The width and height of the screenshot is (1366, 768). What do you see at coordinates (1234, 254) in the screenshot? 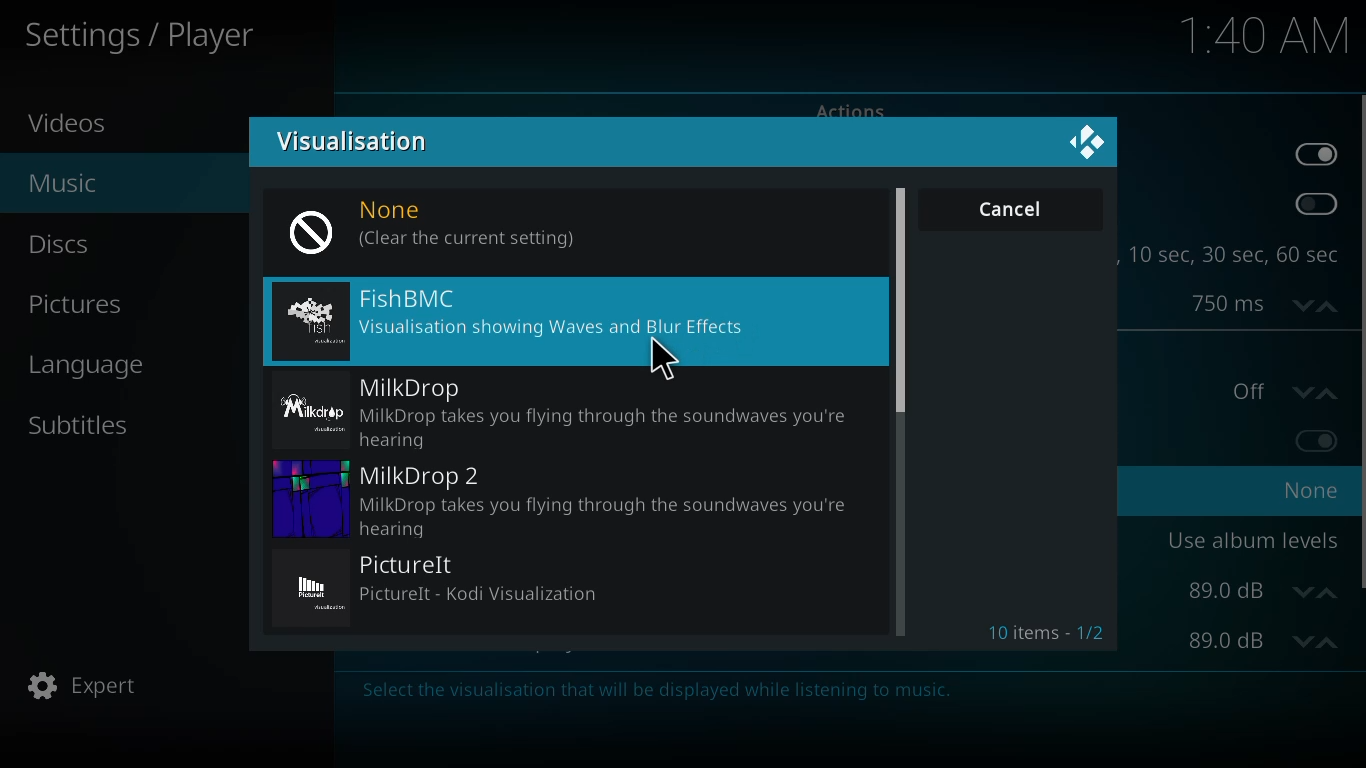
I see `steps` at bounding box center [1234, 254].